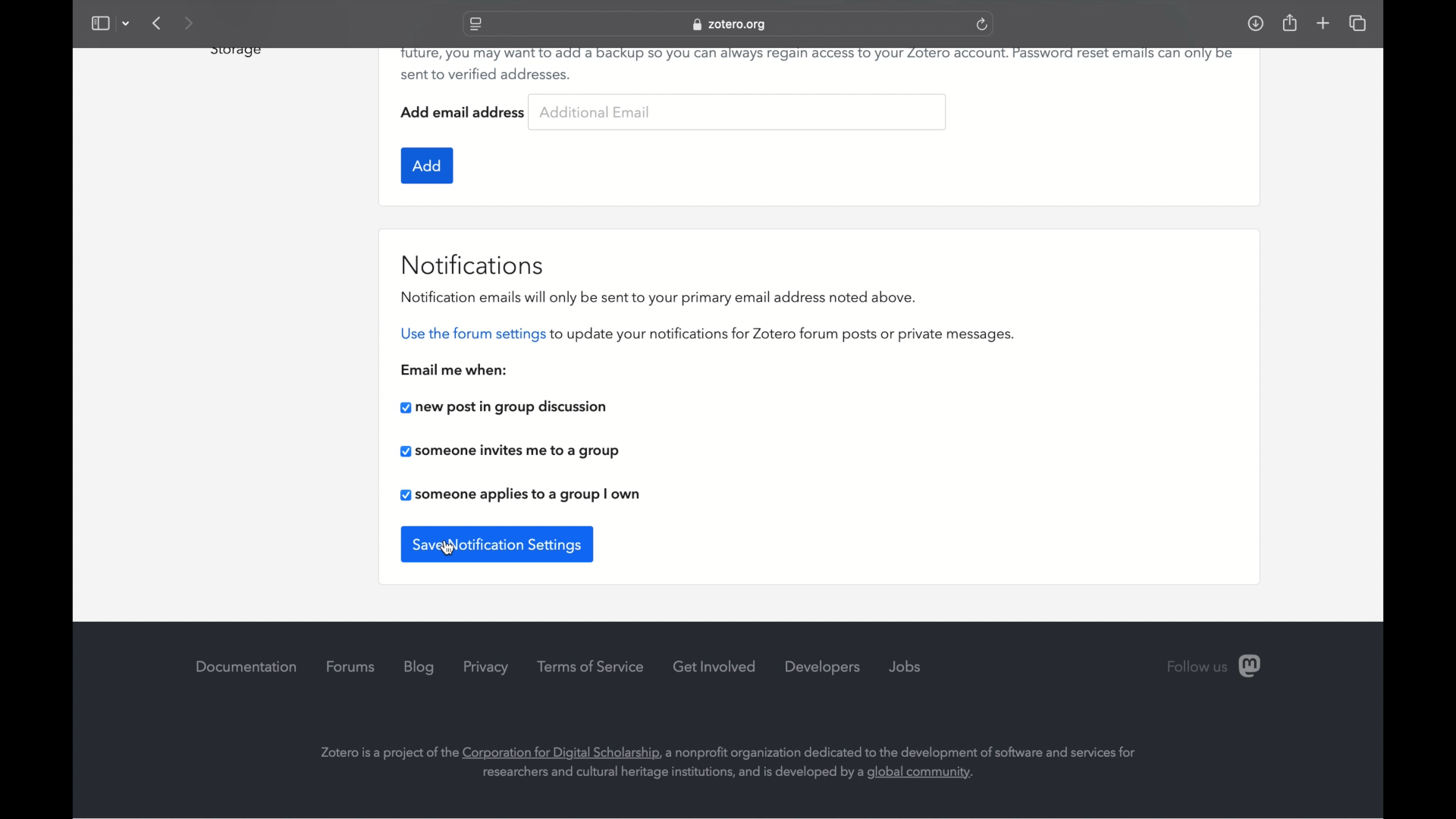 The height and width of the screenshot is (819, 1456). I want to click on someone applies to a group i own, so click(519, 494).